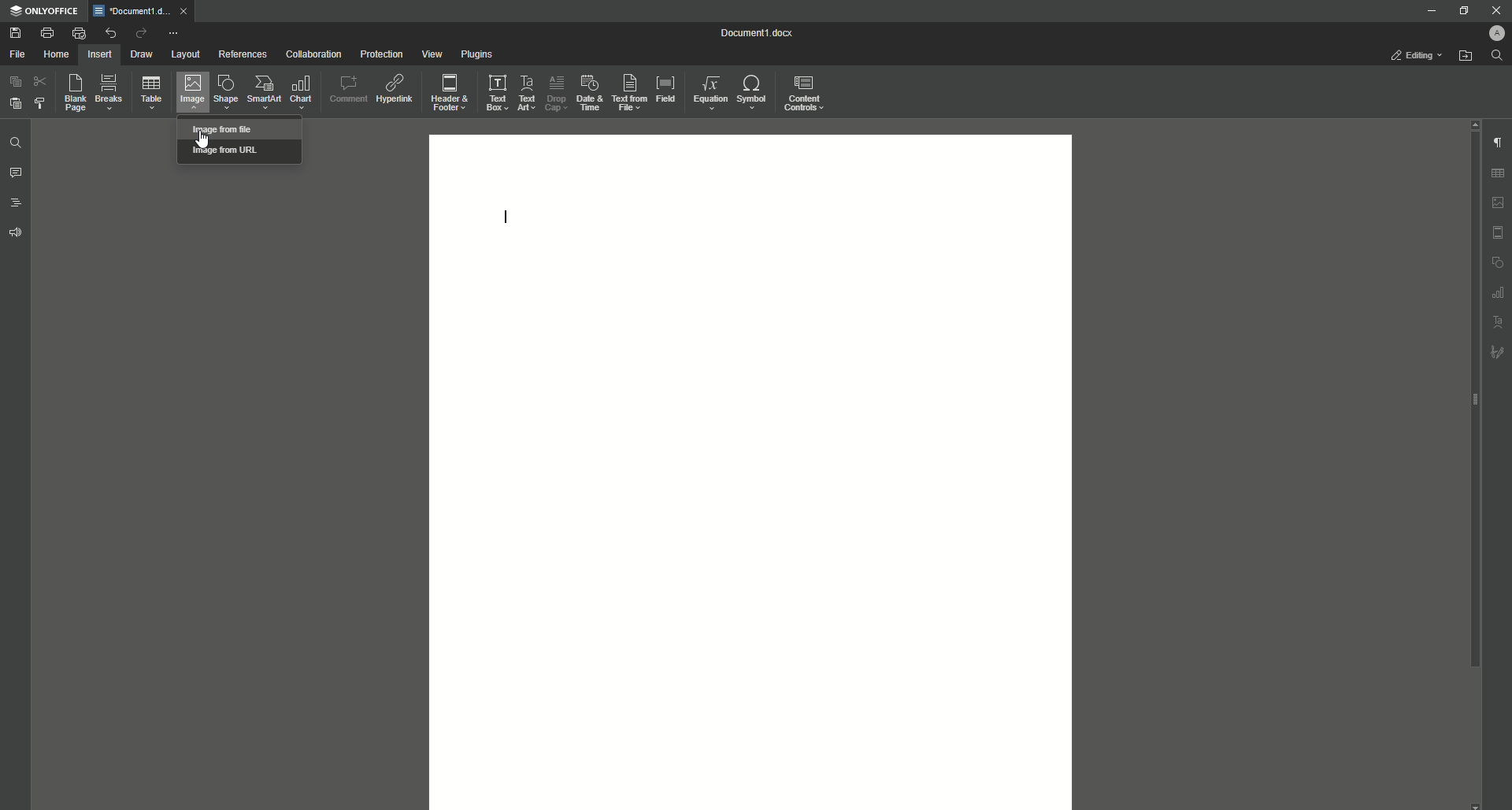 The image size is (1512, 810). I want to click on Home, so click(56, 55).